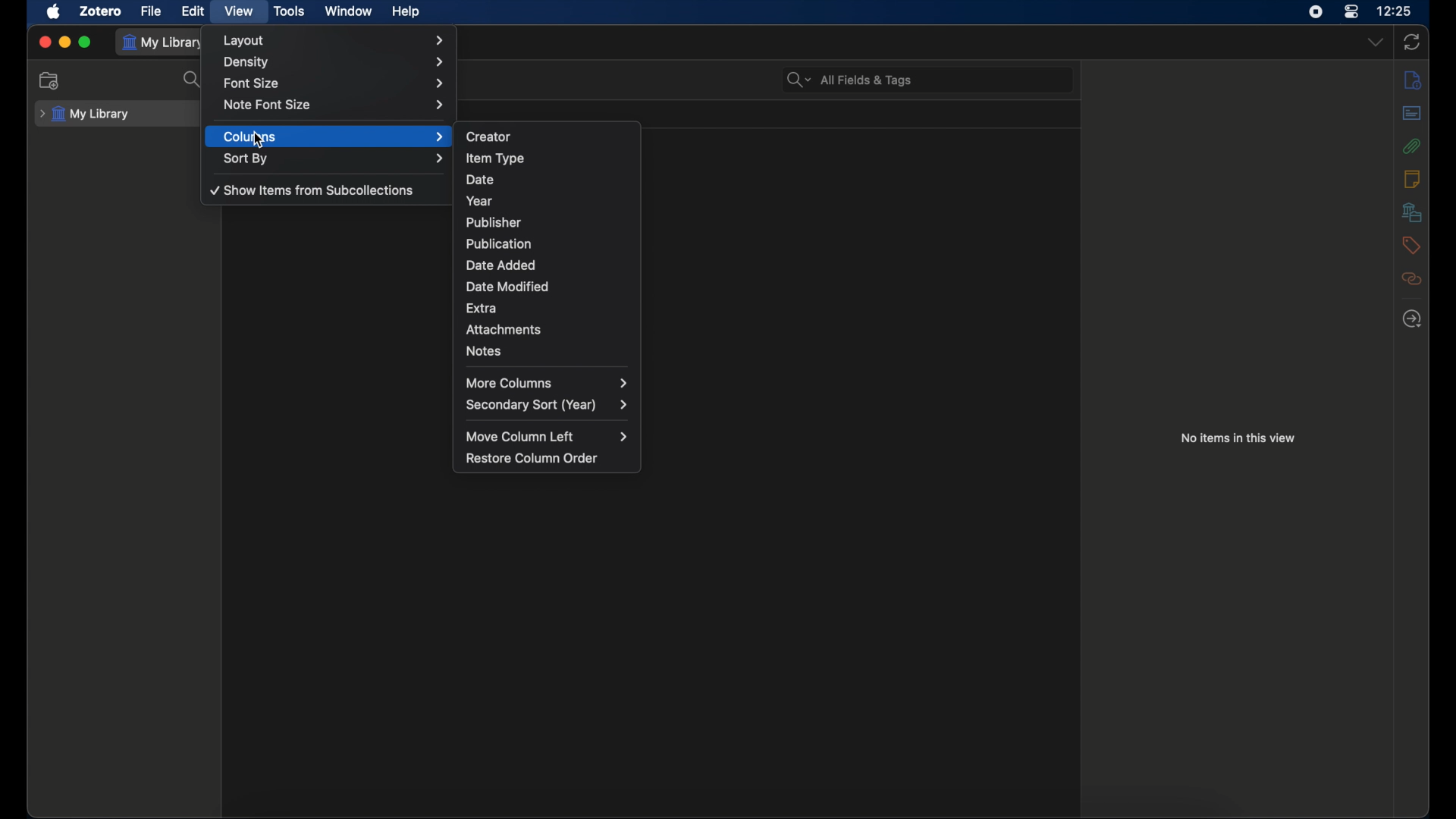 The width and height of the screenshot is (1456, 819). I want to click on libraries, so click(1412, 212).